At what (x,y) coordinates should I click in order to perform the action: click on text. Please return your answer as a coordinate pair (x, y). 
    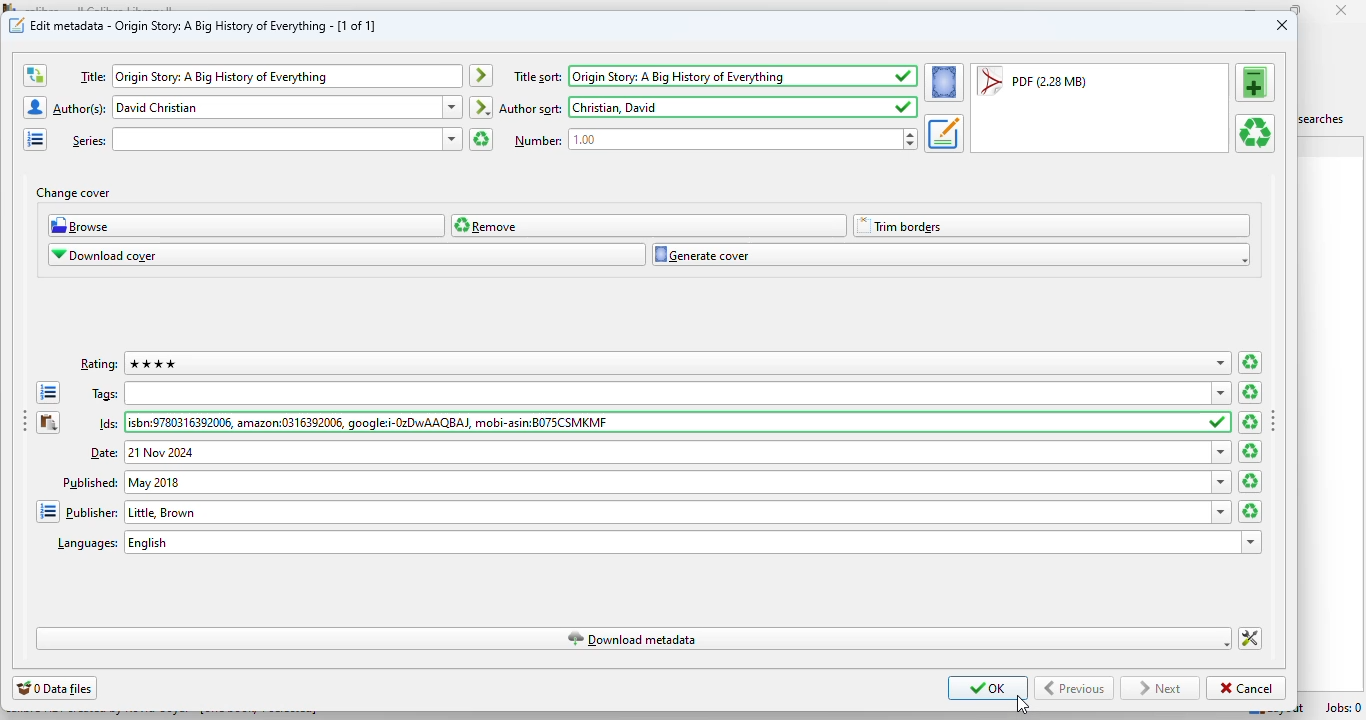
    Looking at the image, I should click on (532, 109).